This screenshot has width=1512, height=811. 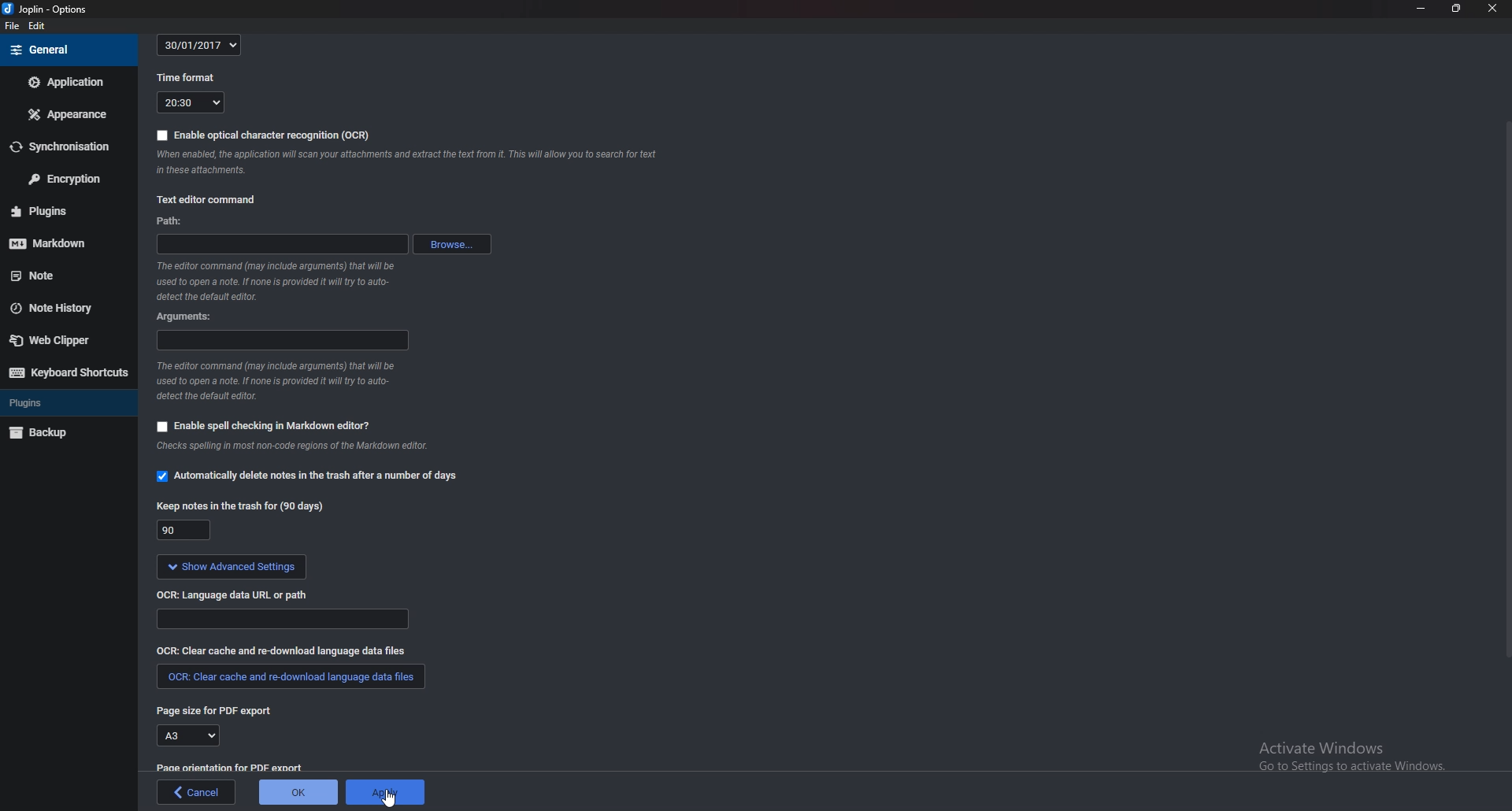 What do you see at coordinates (70, 177) in the screenshot?
I see `Encryption` at bounding box center [70, 177].